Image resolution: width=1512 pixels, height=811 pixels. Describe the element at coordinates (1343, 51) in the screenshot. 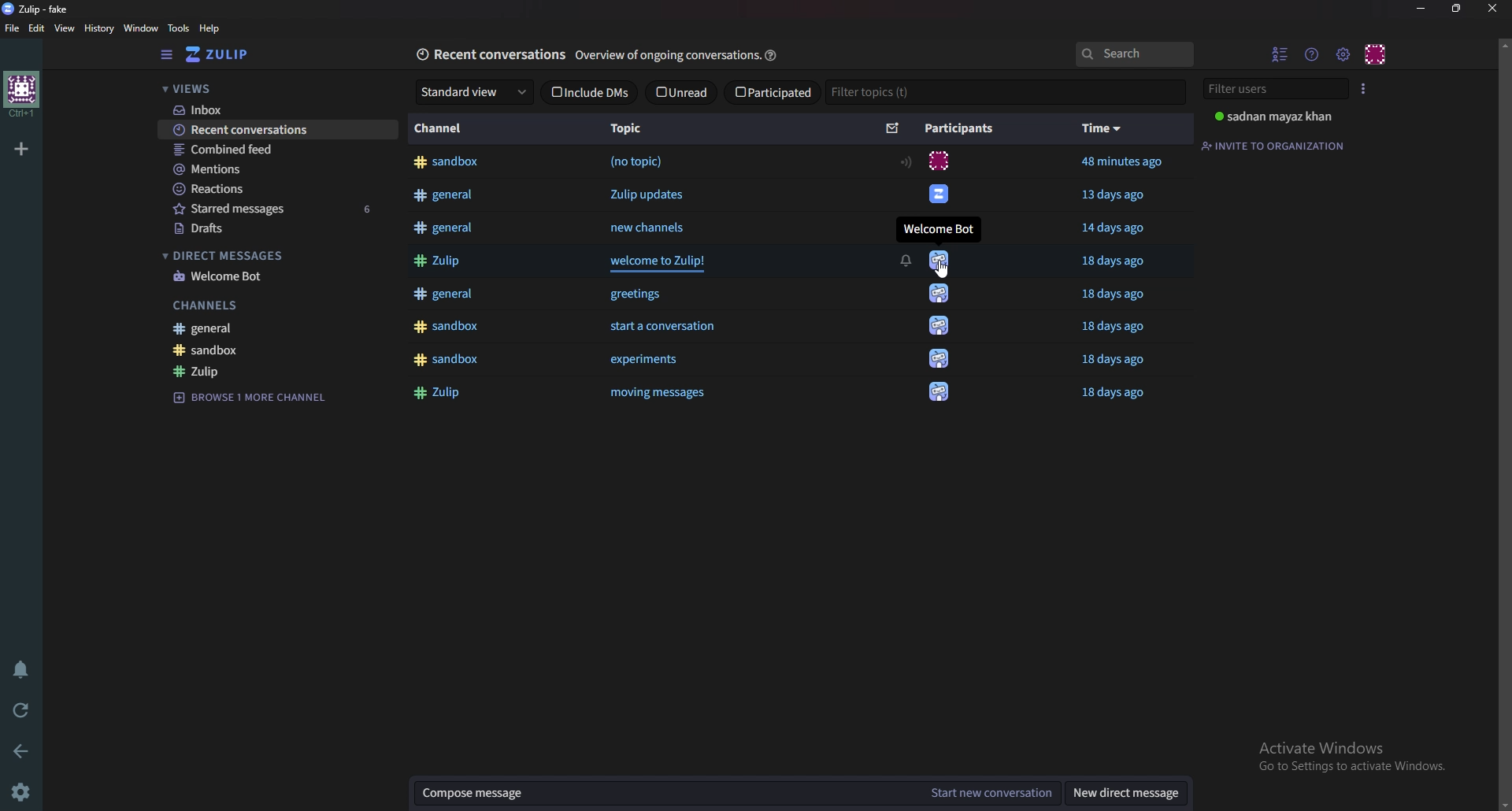

I see `main menu` at that location.